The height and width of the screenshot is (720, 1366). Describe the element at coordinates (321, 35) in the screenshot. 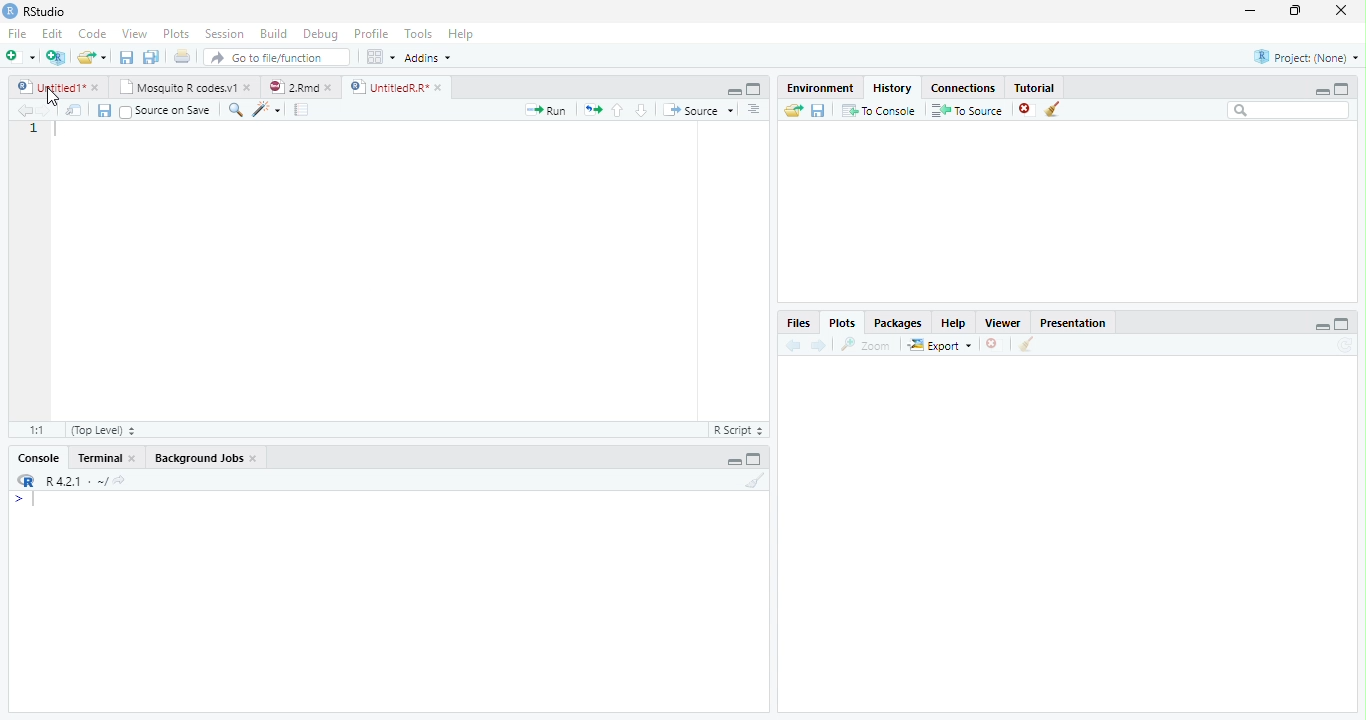

I see `Debug` at that location.